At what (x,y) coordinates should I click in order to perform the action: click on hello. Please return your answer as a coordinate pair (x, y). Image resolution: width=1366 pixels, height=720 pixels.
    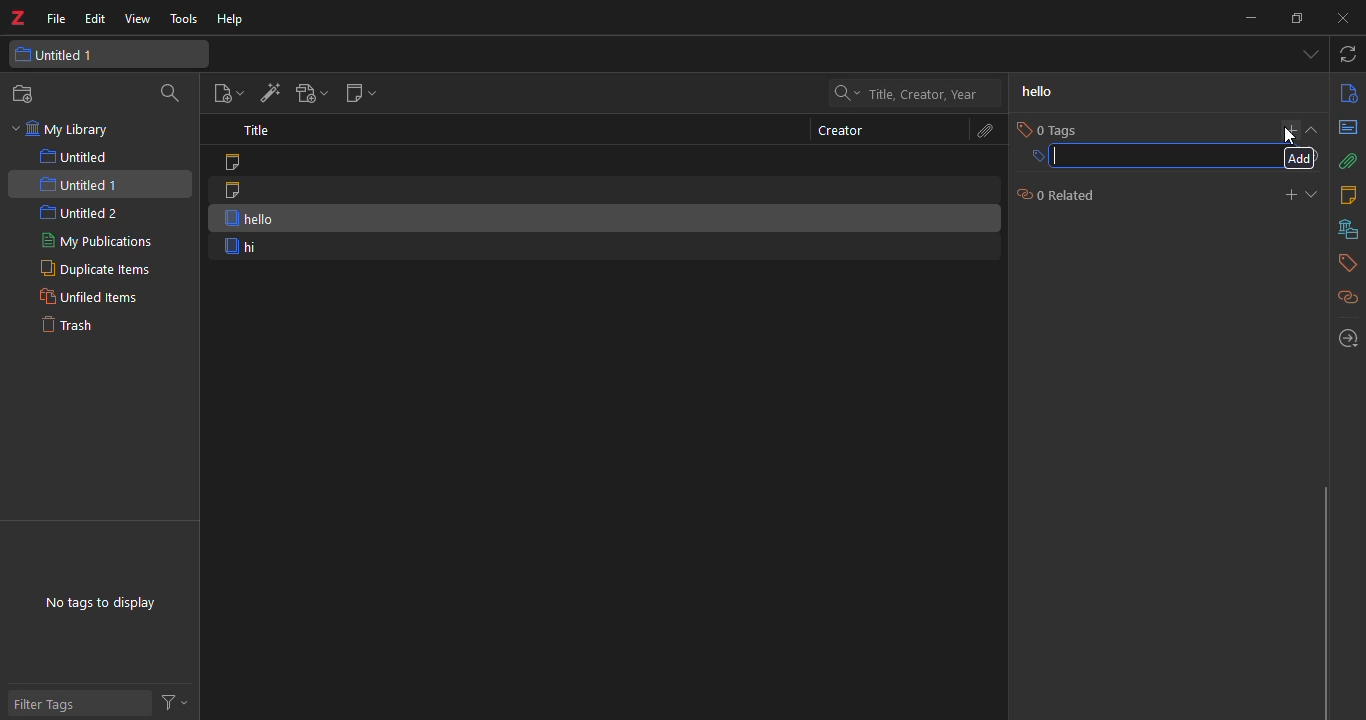
    Looking at the image, I should click on (1038, 92).